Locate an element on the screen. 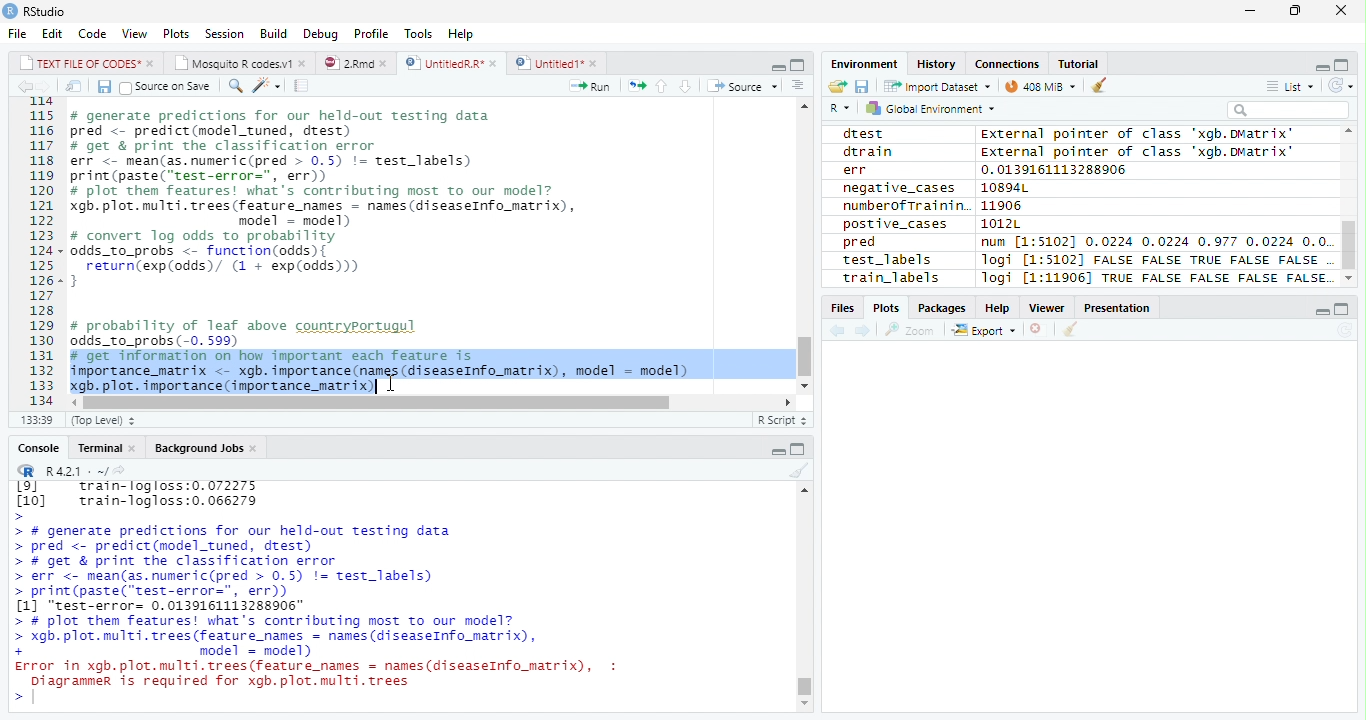 Image resolution: width=1366 pixels, height=720 pixels. UntitiedR.R*  is located at coordinates (451, 62).